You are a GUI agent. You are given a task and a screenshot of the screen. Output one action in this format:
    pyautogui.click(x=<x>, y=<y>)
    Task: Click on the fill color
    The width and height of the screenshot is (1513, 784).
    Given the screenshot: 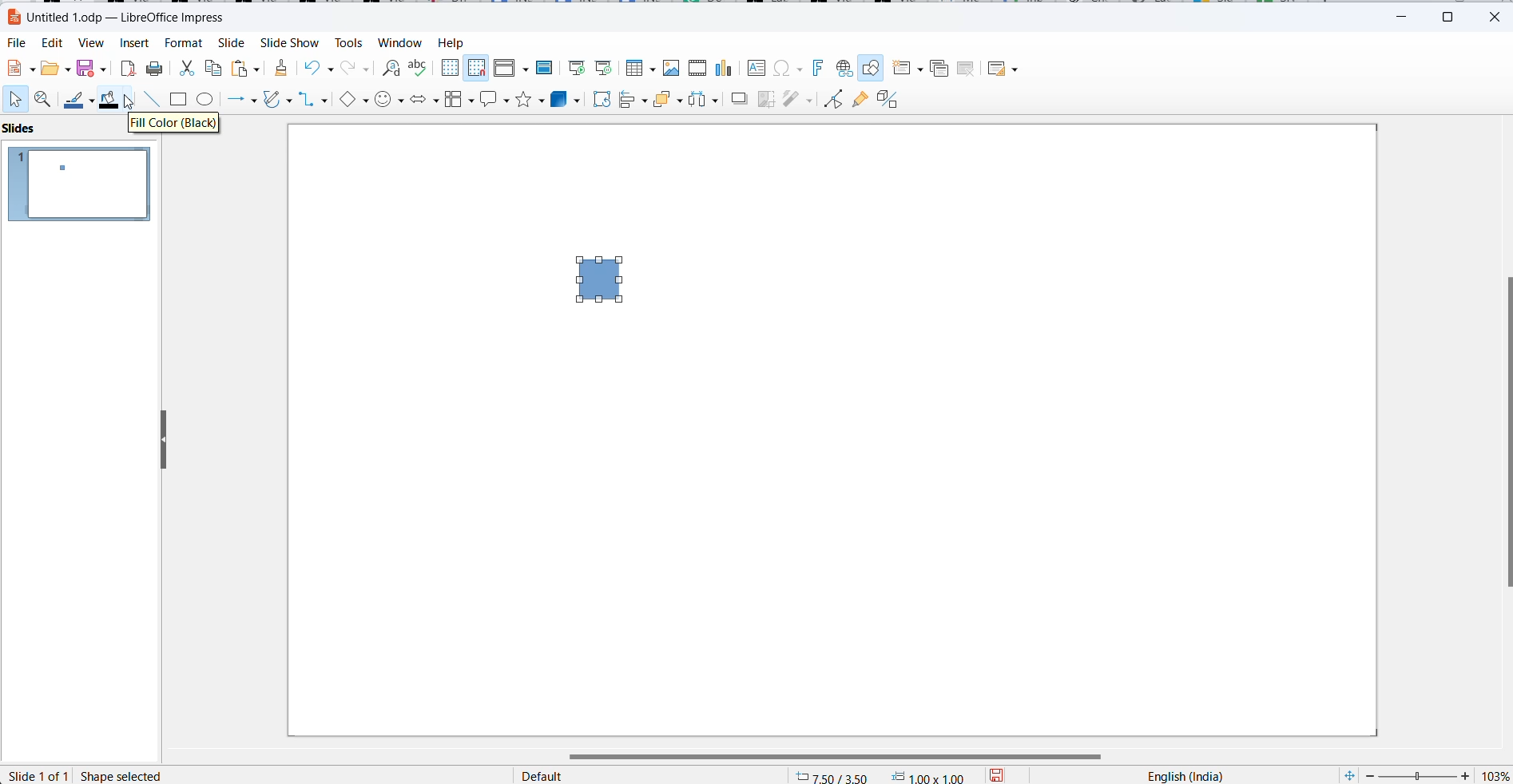 What is the action you would take?
    pyautogui.click(x=107, y=98)
    